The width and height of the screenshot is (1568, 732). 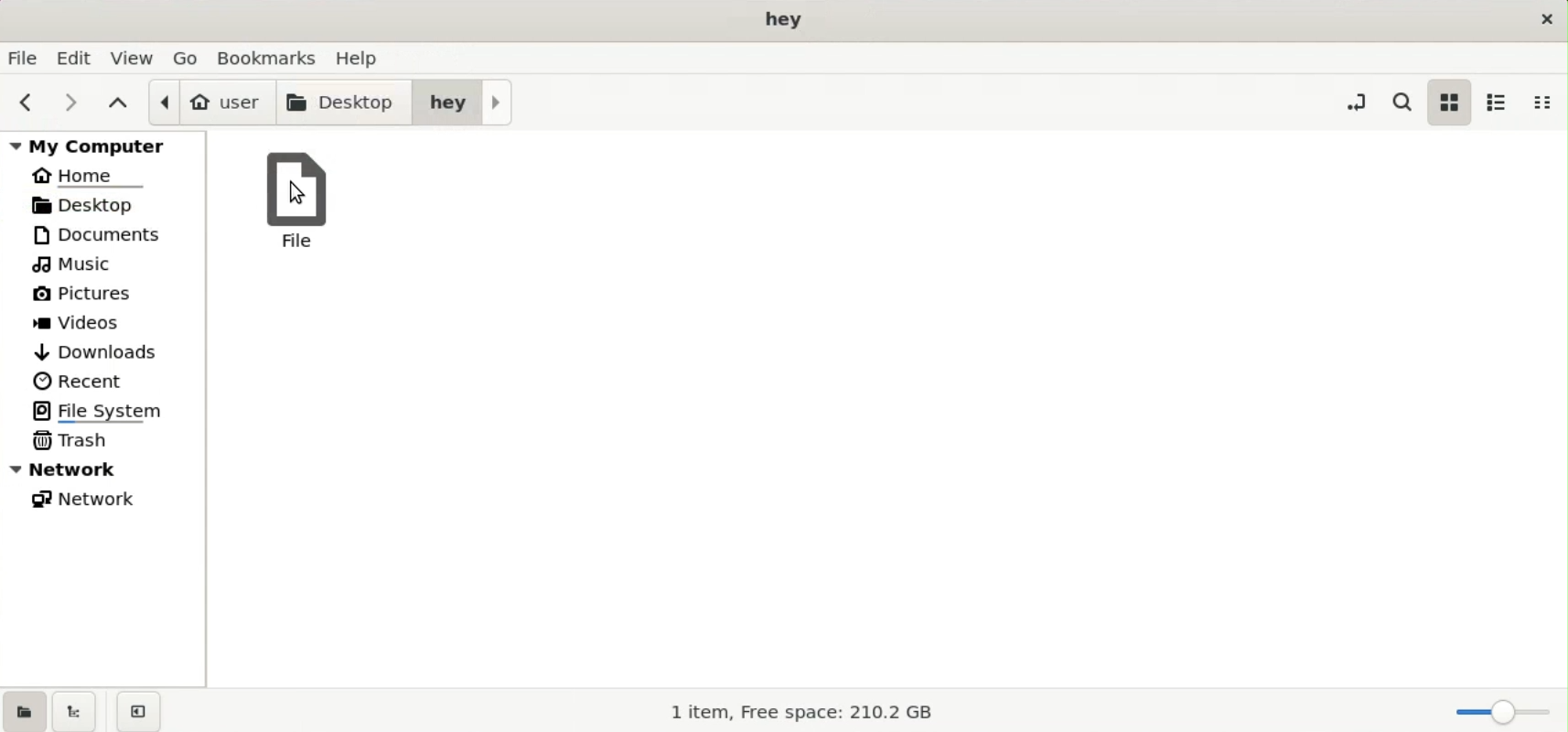 What do you see at coordinates (134, 57) in the screenshot?
I see `view` at bounding box center [134, 57].